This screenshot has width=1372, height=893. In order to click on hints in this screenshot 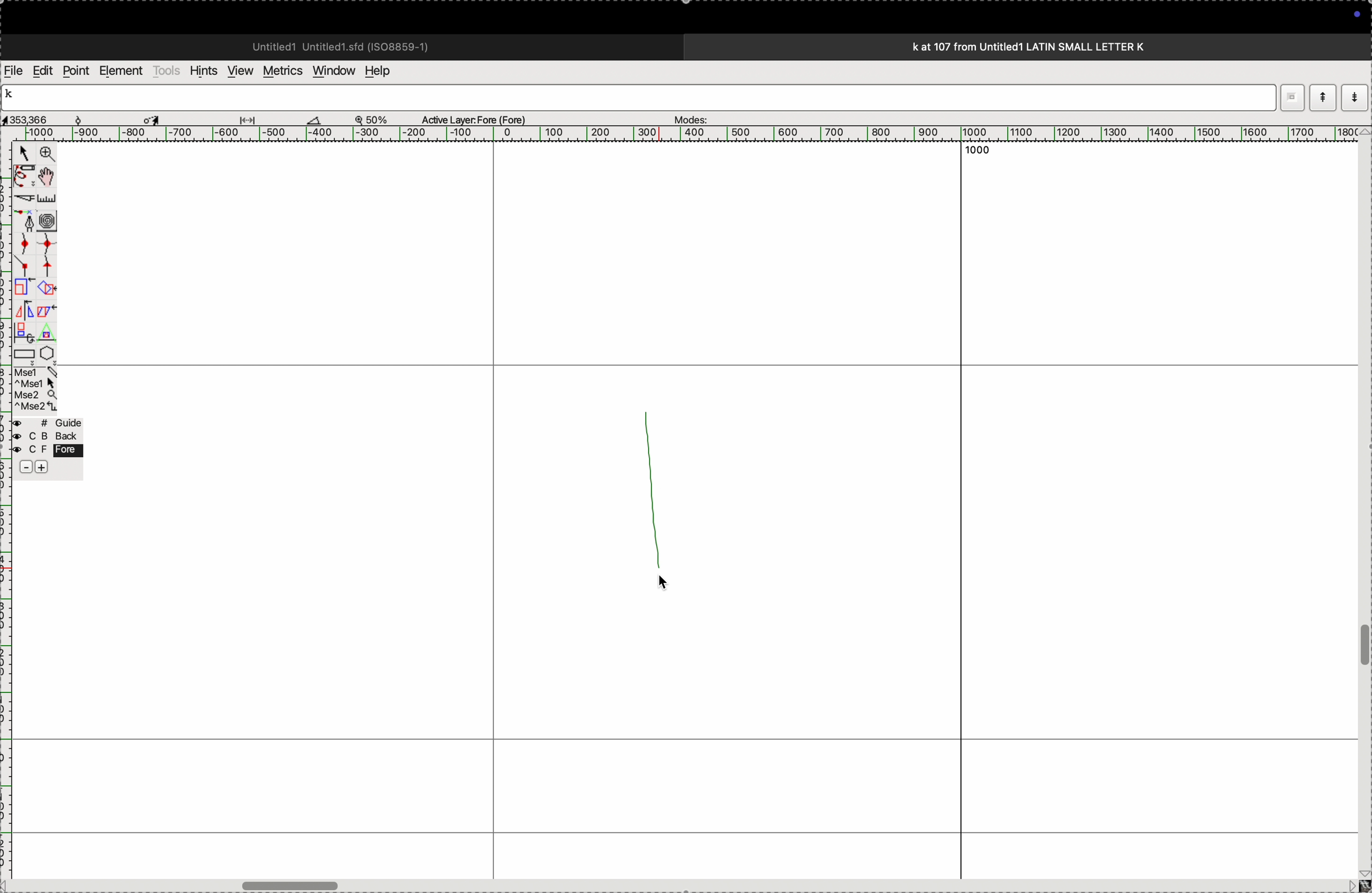, I will do `click(201, 70)`.